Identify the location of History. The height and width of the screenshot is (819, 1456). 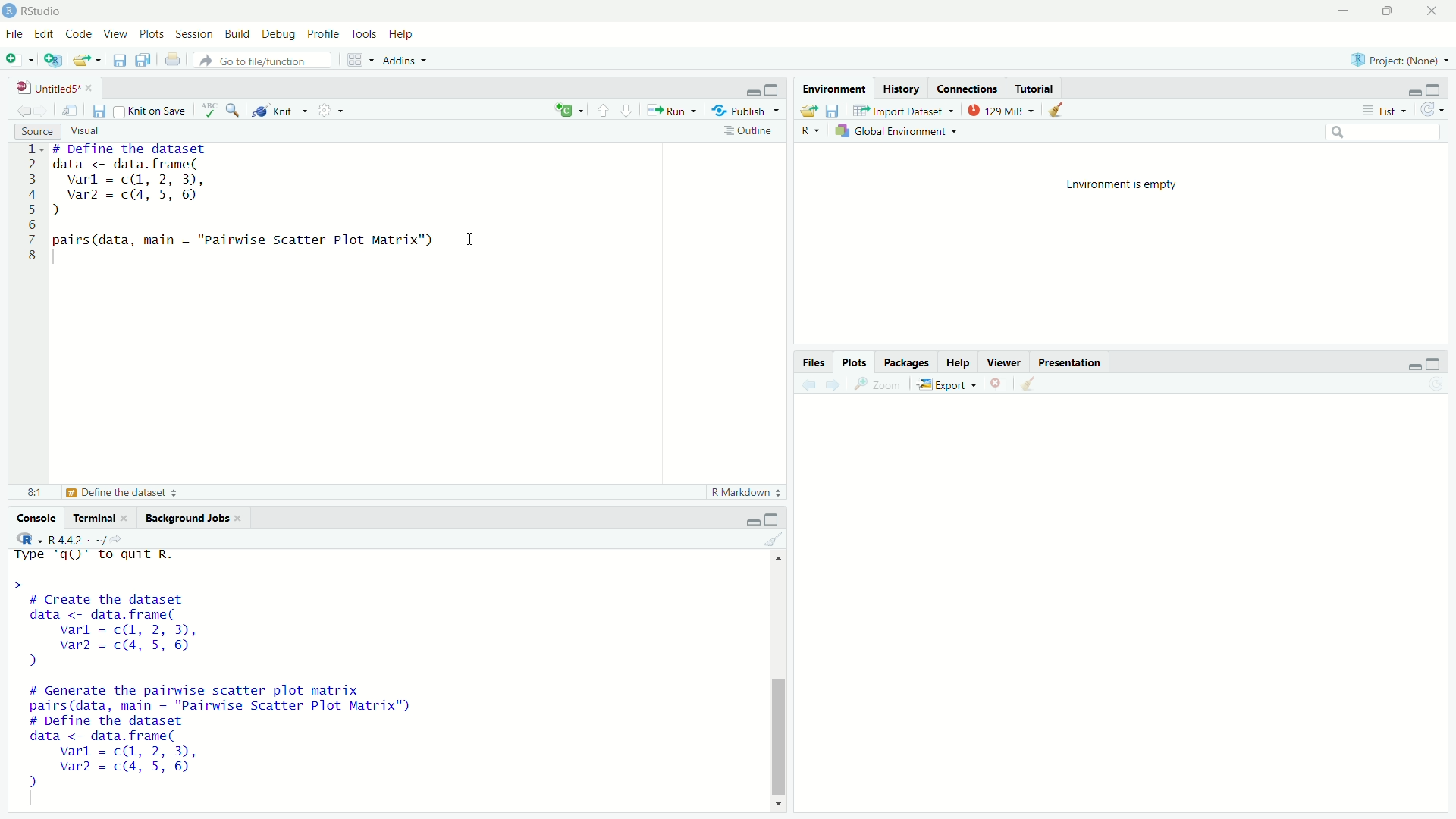
(901, 88).